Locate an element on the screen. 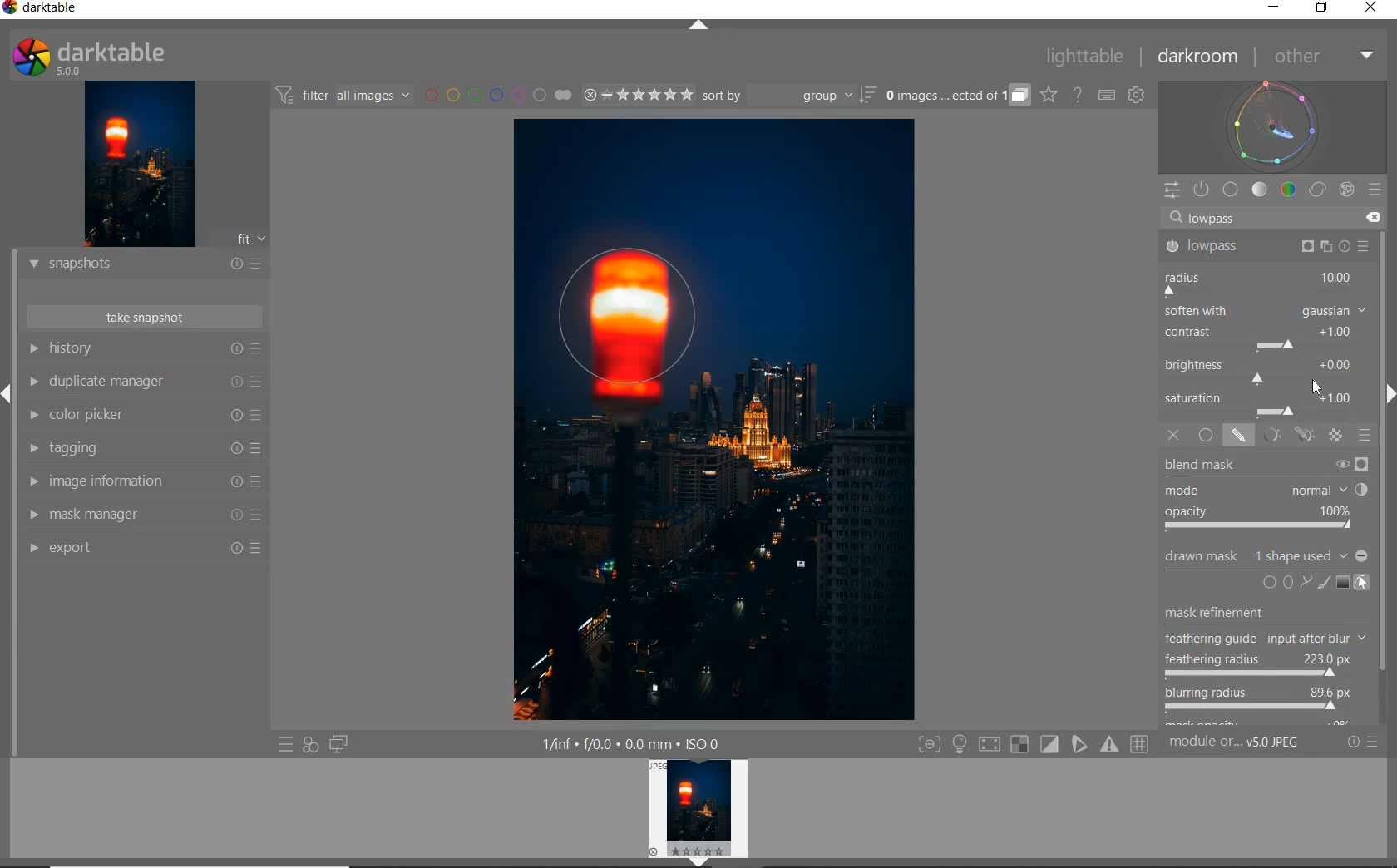 This screenshot has width=1397, height=868. EXPAND/COLLAPSE is located at coordinates (8, 391).